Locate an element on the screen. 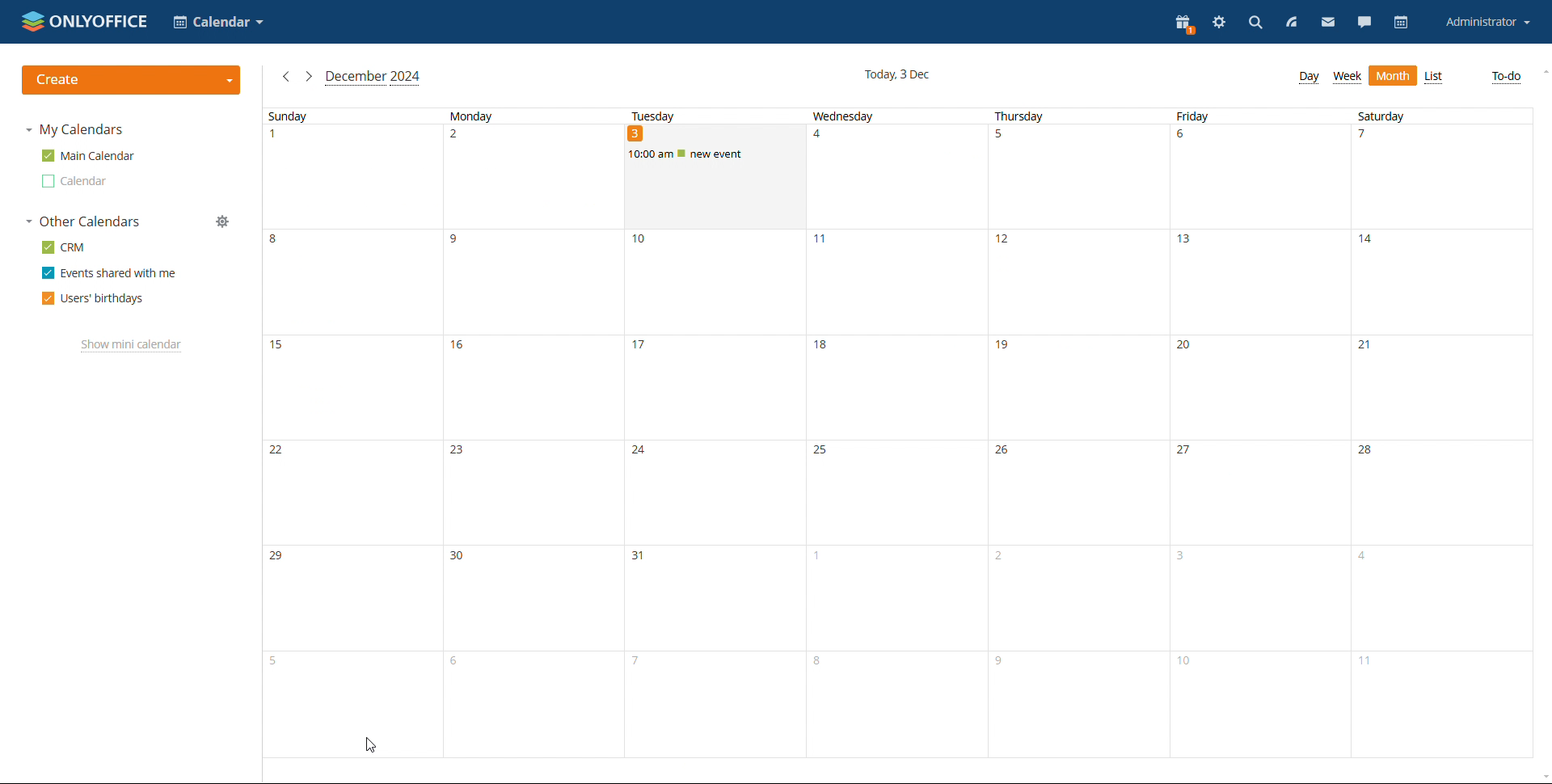 This screenshot has width=1552, height=784. create is located at coordinates (132, 80).